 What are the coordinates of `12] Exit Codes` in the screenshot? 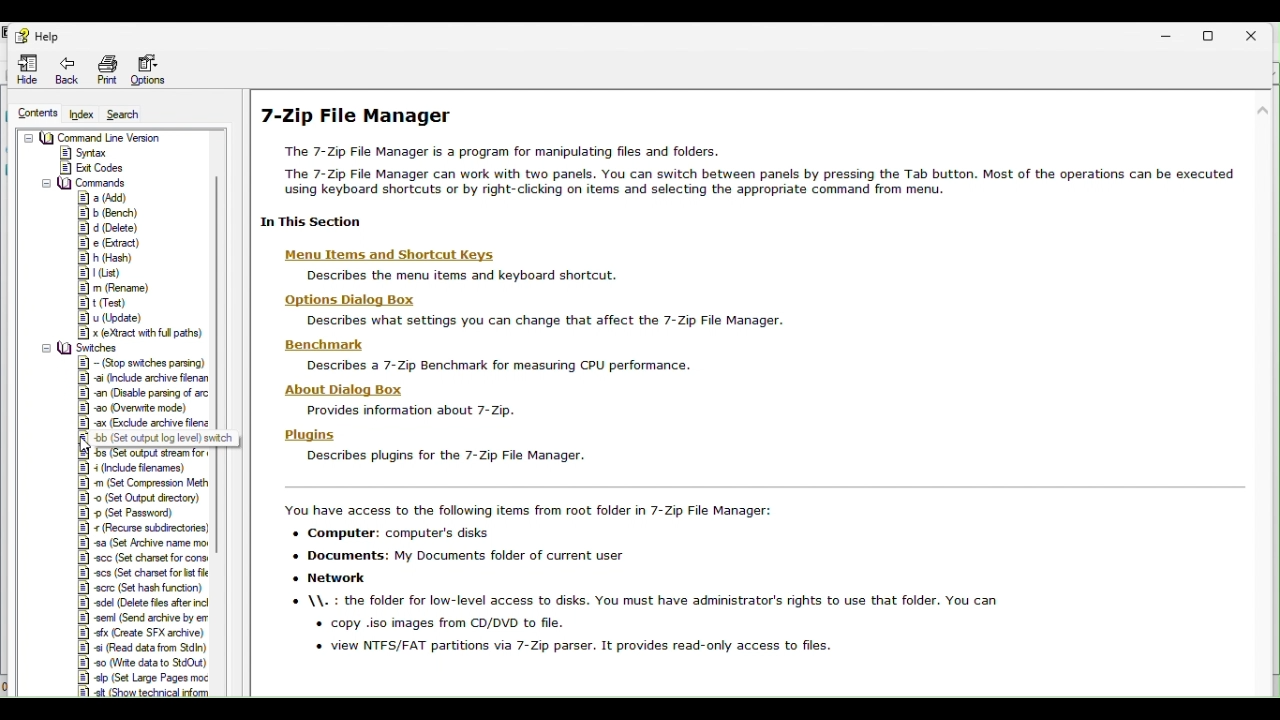 It's located at (93, 167).